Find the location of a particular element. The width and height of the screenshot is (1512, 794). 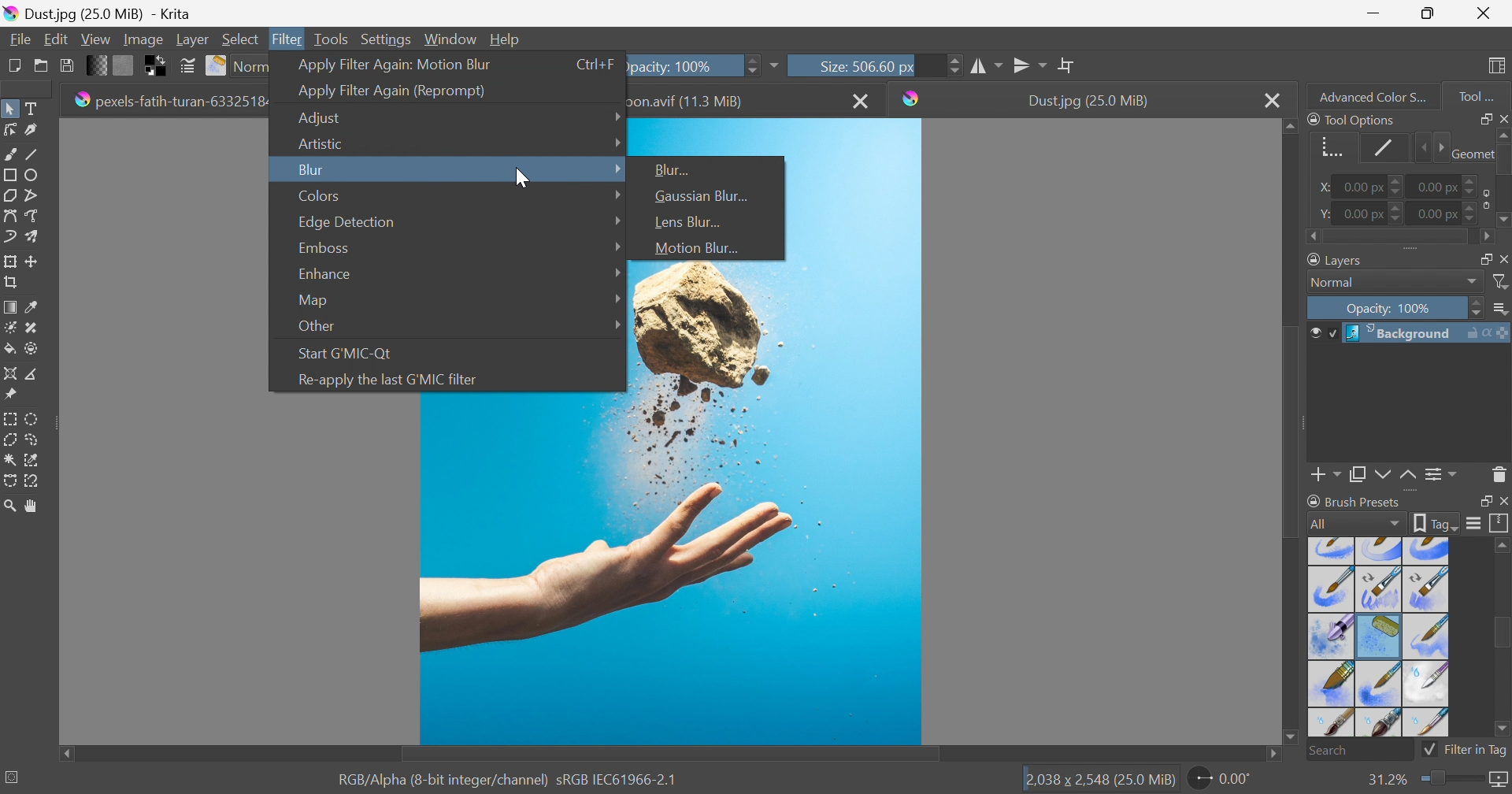

2,038*2,548 (25.0 MB) is located at coordinates (1100, 781).